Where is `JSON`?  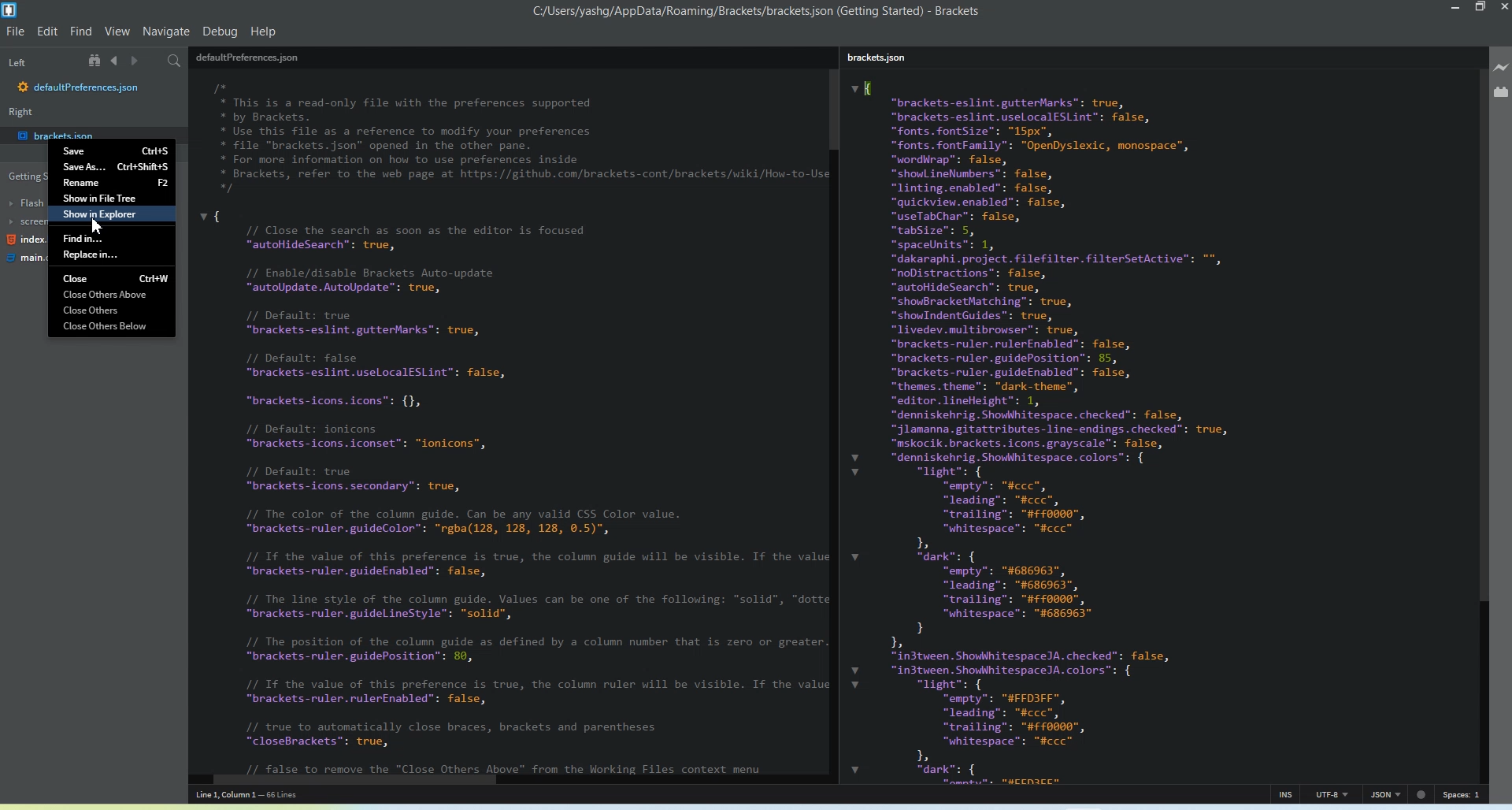 JSON is located at coordinates (1385, 793).